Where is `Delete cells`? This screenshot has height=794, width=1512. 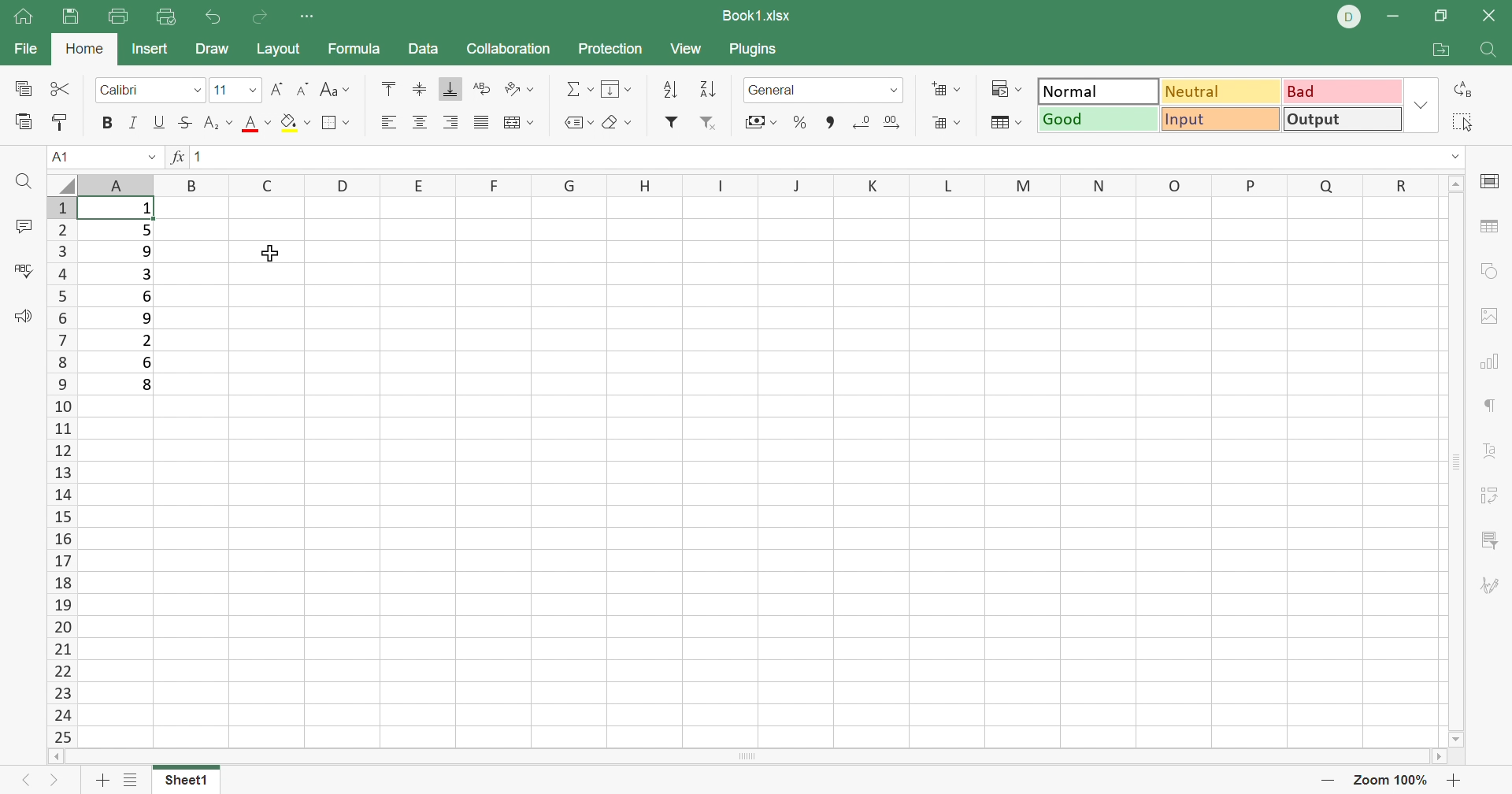 Delete cells is located at coordinates (946, 123).